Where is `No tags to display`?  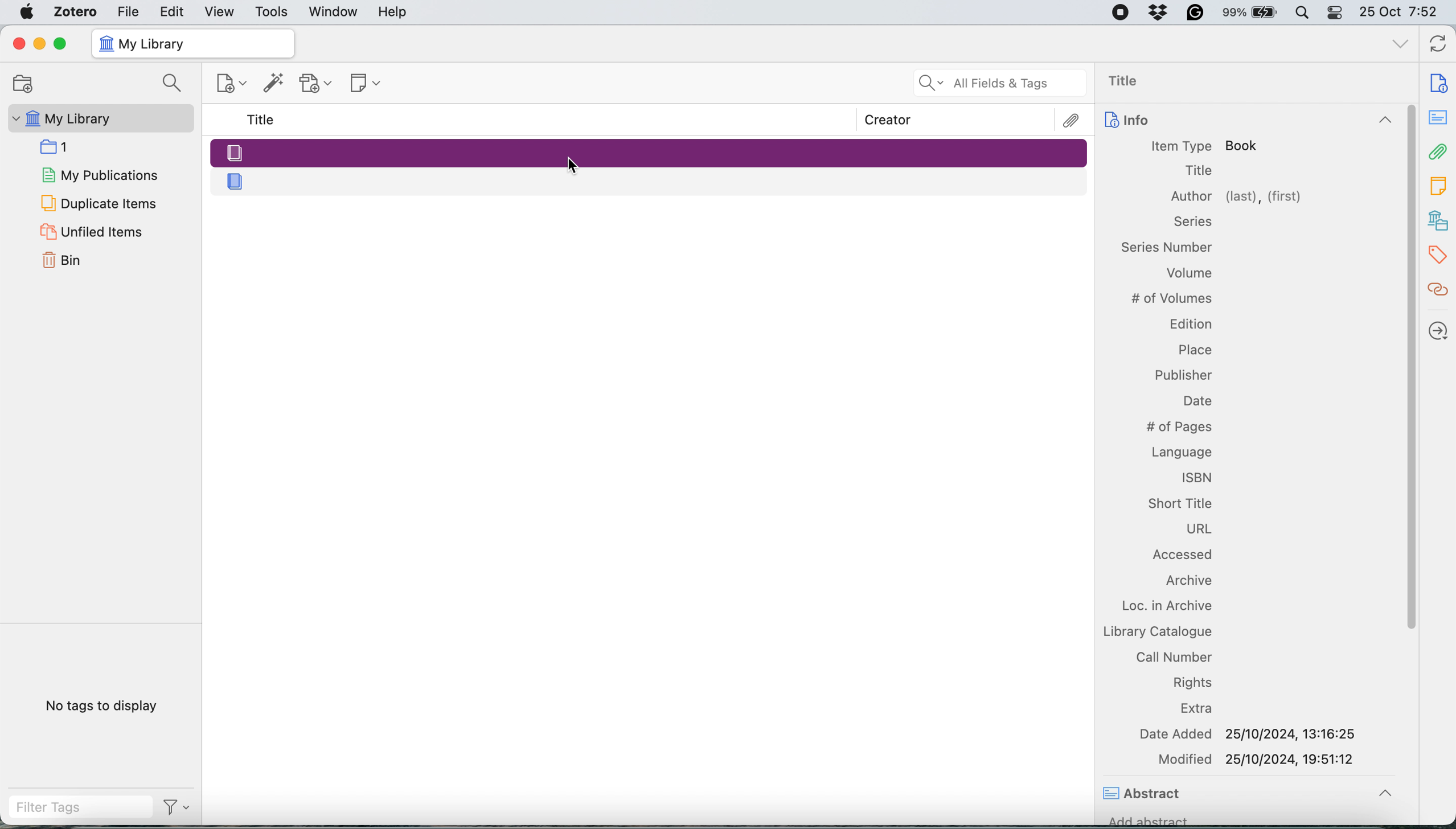
No tags to display is located at coordinates (105, 708).